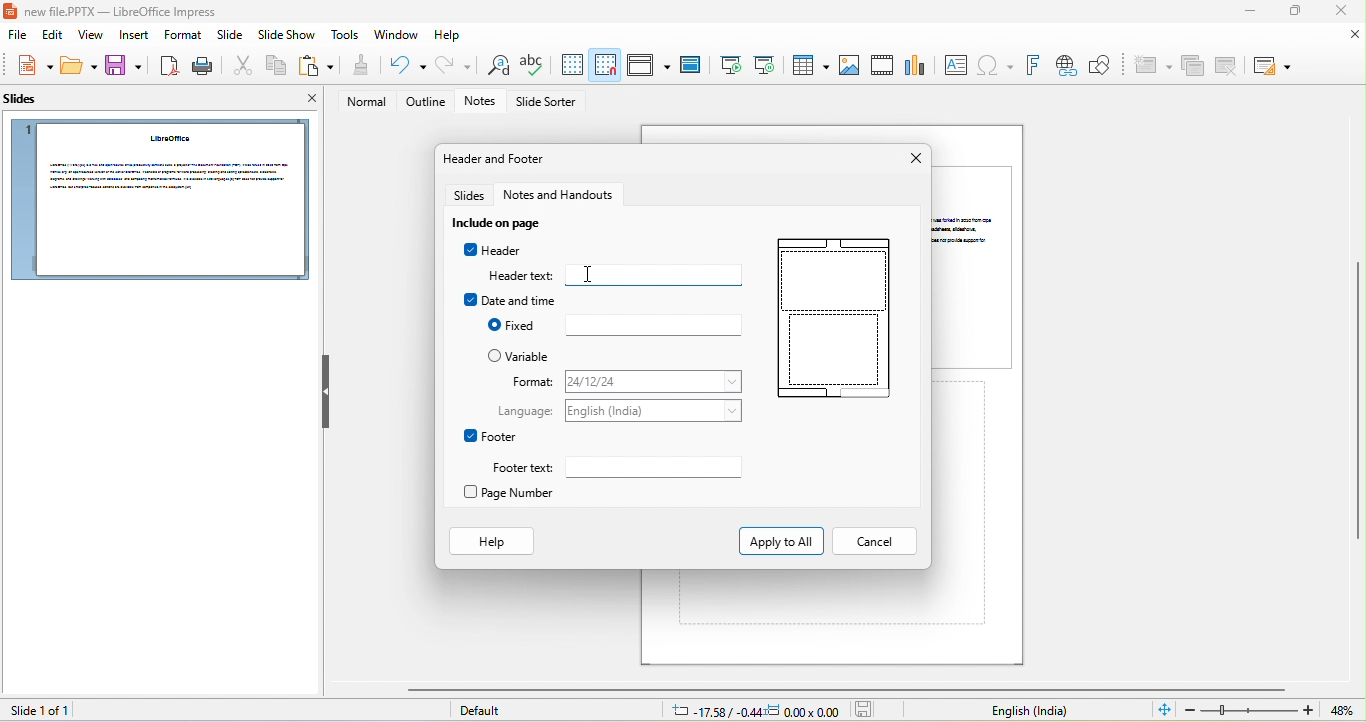 This screenshot has height=722, width=1366. Describe the element at coordinates (648, 65) in the screenshot. I see `display view` at that location.